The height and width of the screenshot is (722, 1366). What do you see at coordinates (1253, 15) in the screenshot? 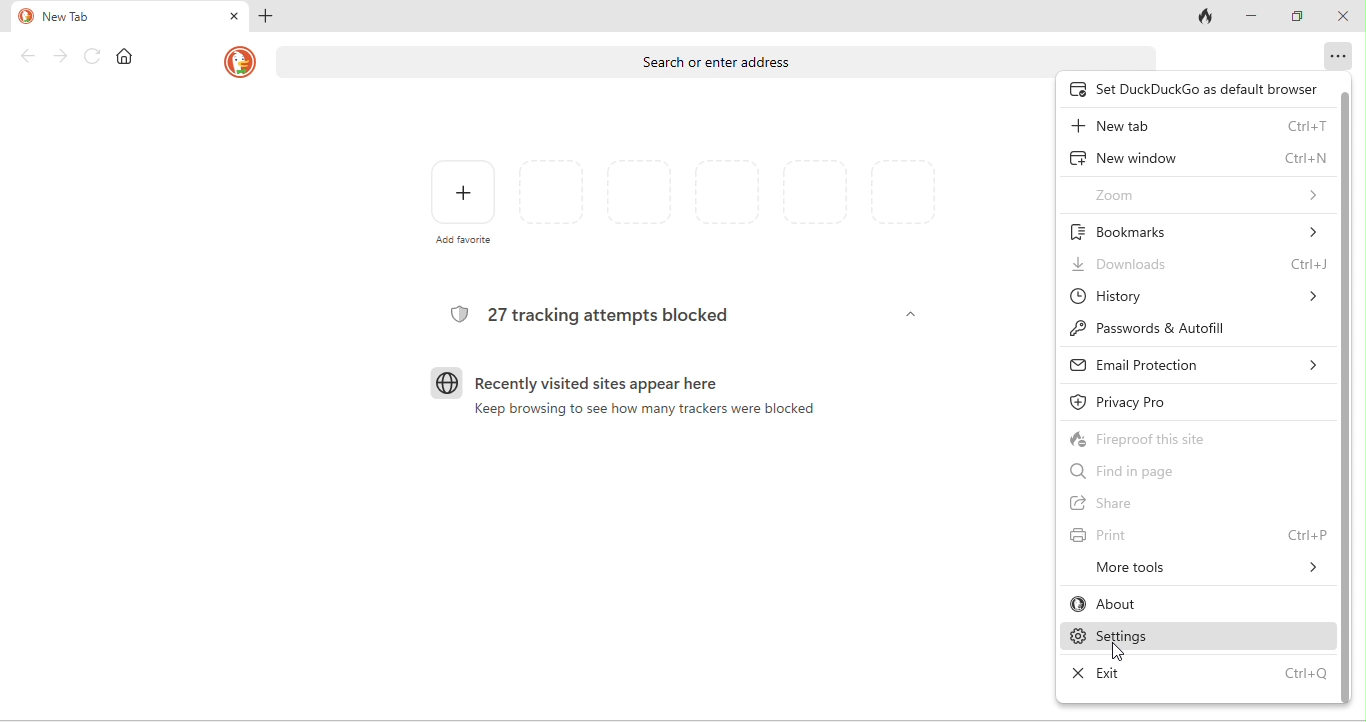
I see `minimize` at bounding box center [1253, 15].